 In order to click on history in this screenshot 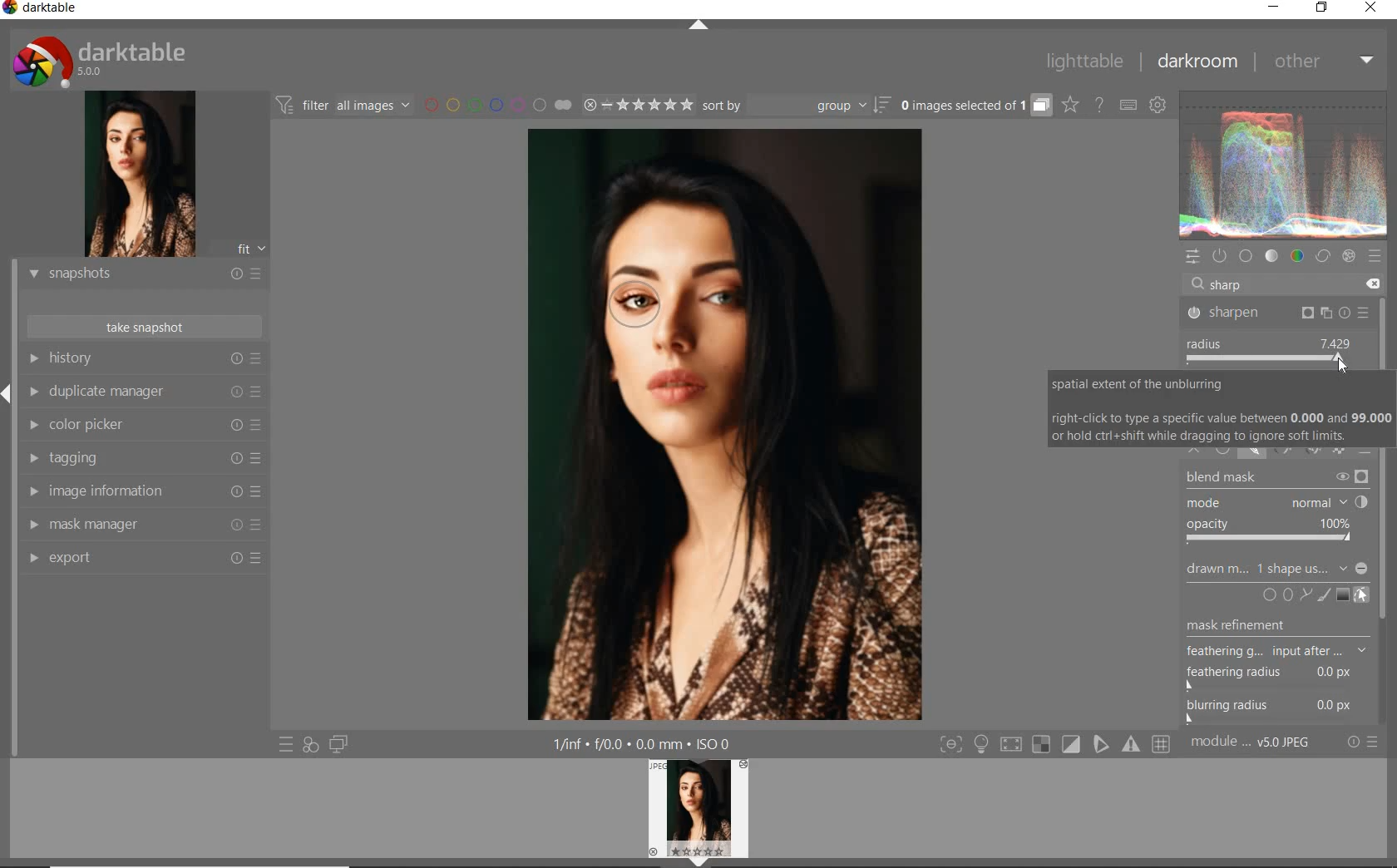, I will do `click(146, 358)`.